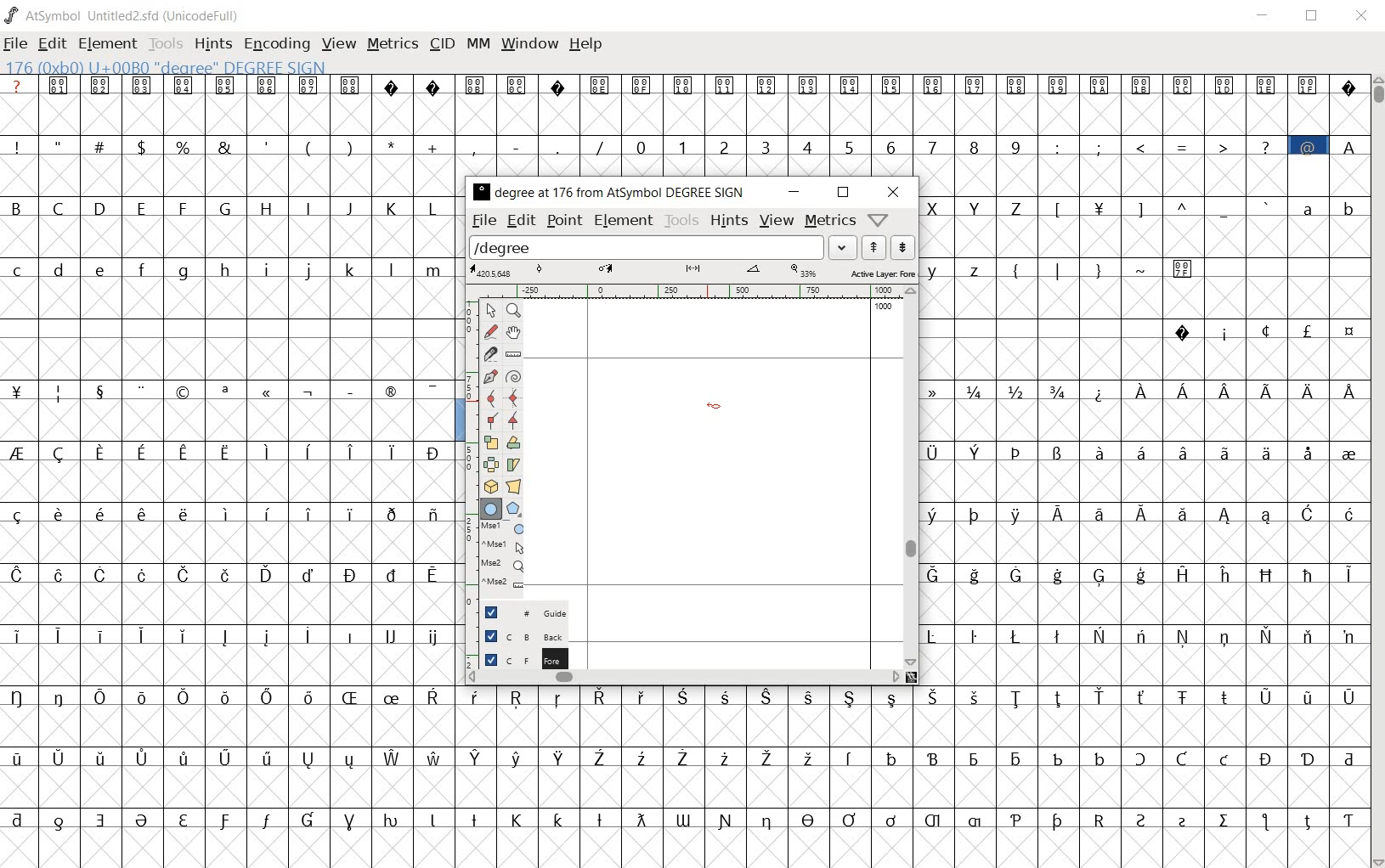 The width and height of the screenshot is (1385, 868). Describe the element at coordinates (1329, 207) in the screenshot. I see `small letters a b` at that location.